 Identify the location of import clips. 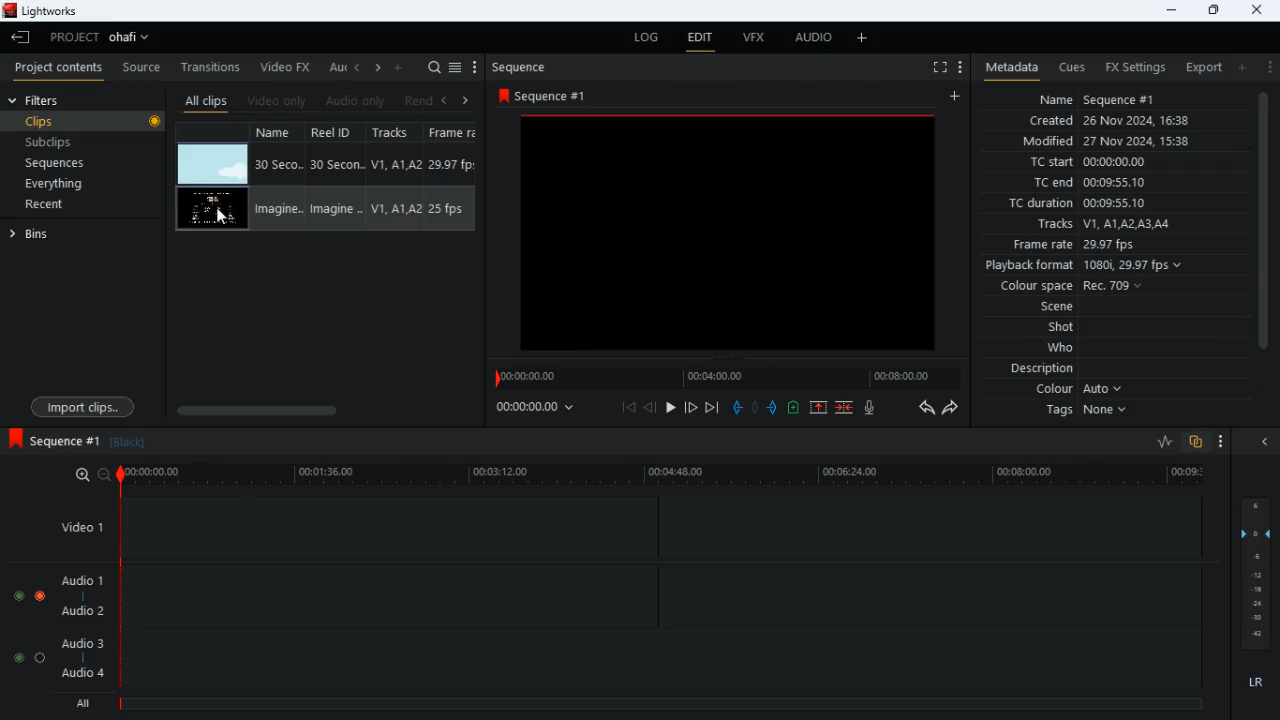
(86, 405).